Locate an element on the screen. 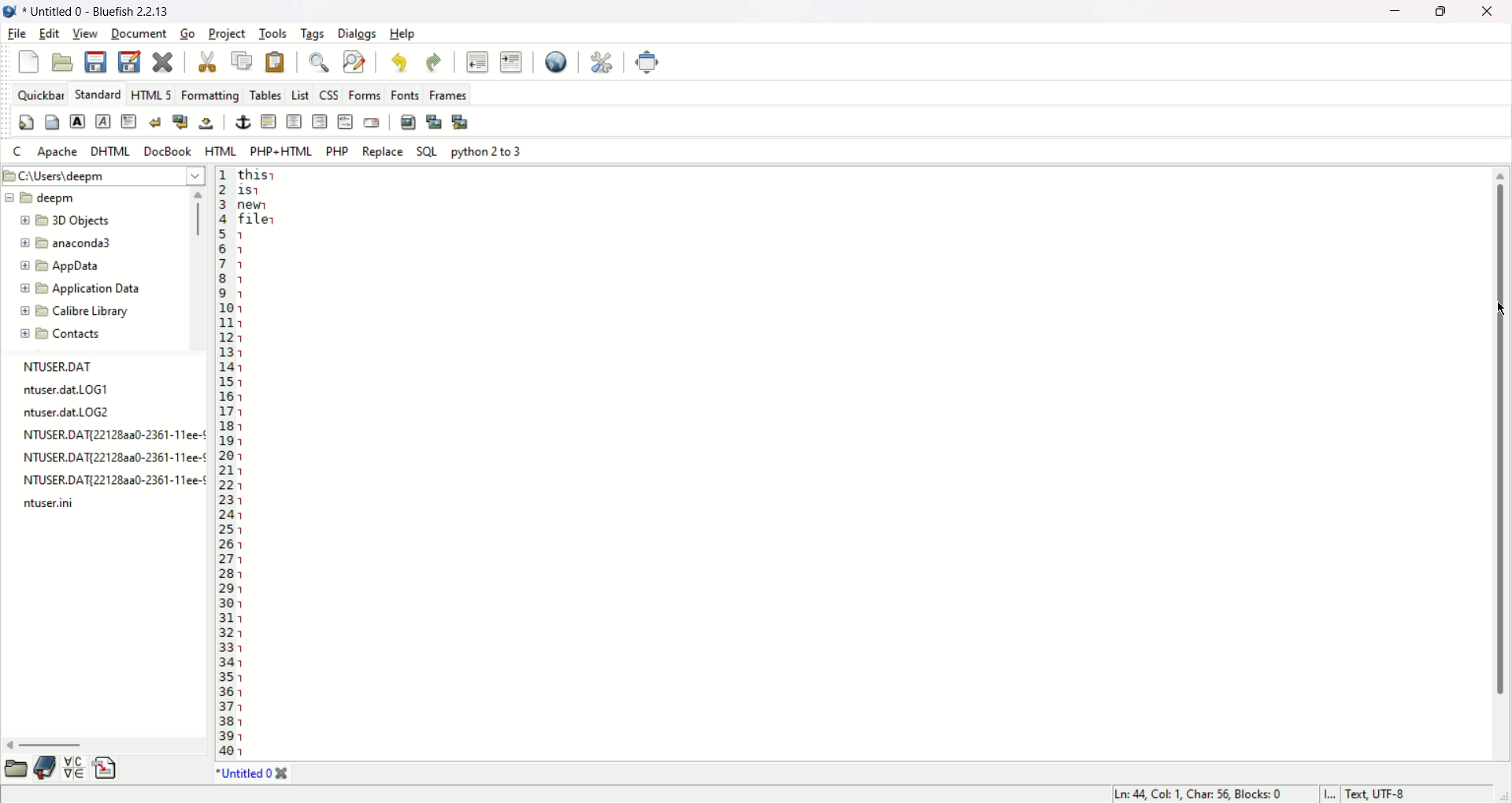 The height and width of the screenshot is (803, 1512). charmap is located at coordinates (74, 767).